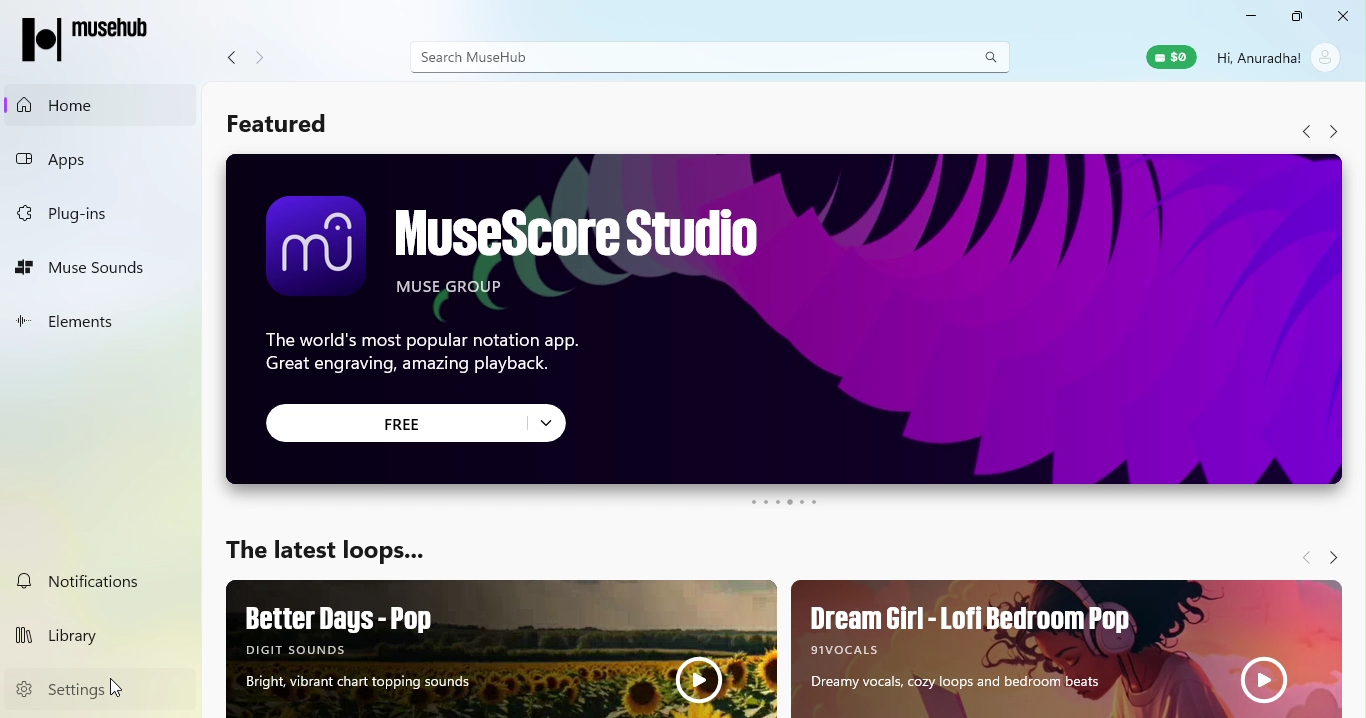 This screenshot has height=718, width=1366. What do you see at coordinates (1168, 57) in the screenshot?
I see `Muse wallet` at bounding box center [1168, 57].